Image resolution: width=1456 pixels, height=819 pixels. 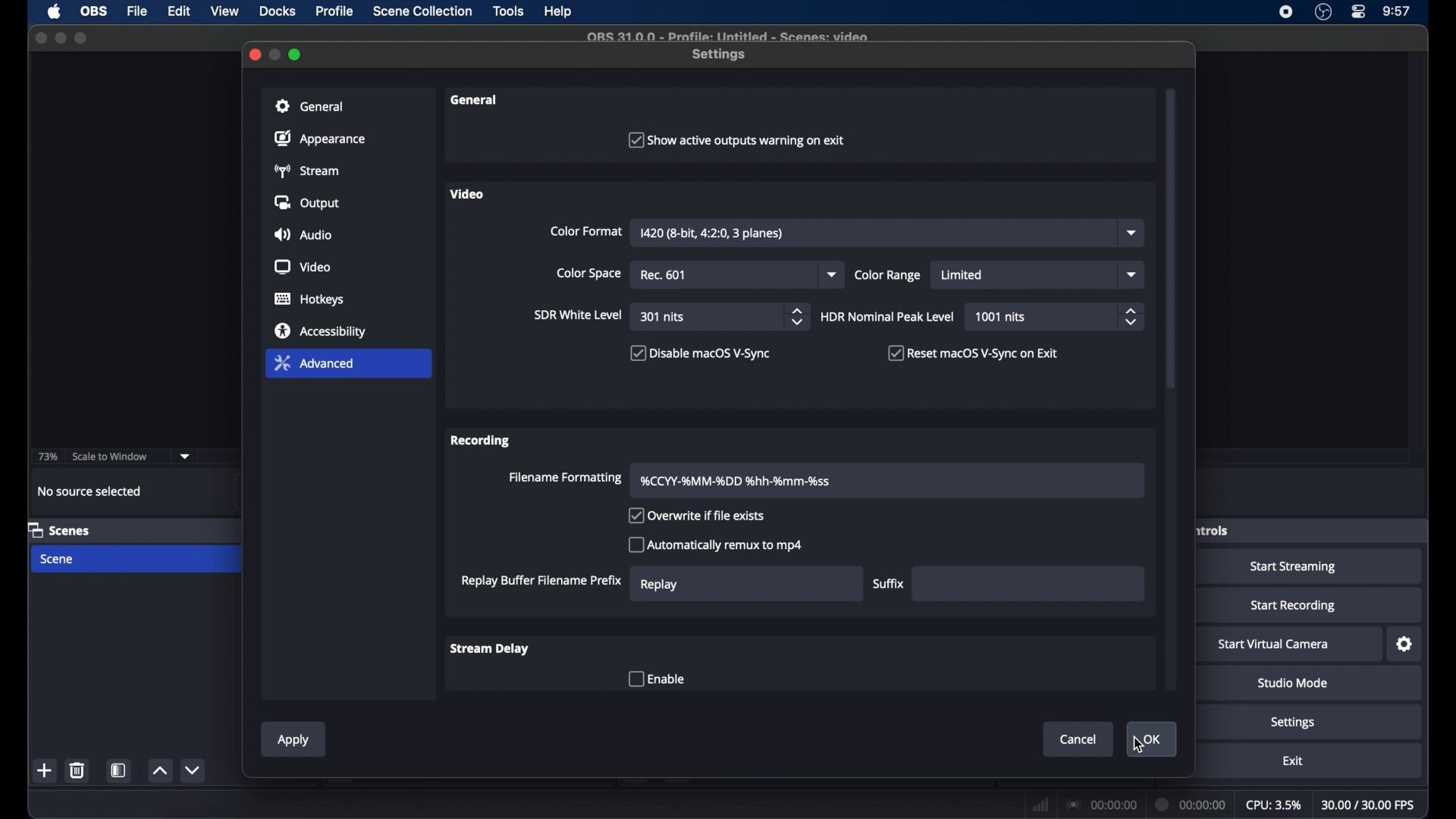 What do you see at coordinates (80, 39) in the screenshot?
I see `maximize` at bounding box center [80, 39].